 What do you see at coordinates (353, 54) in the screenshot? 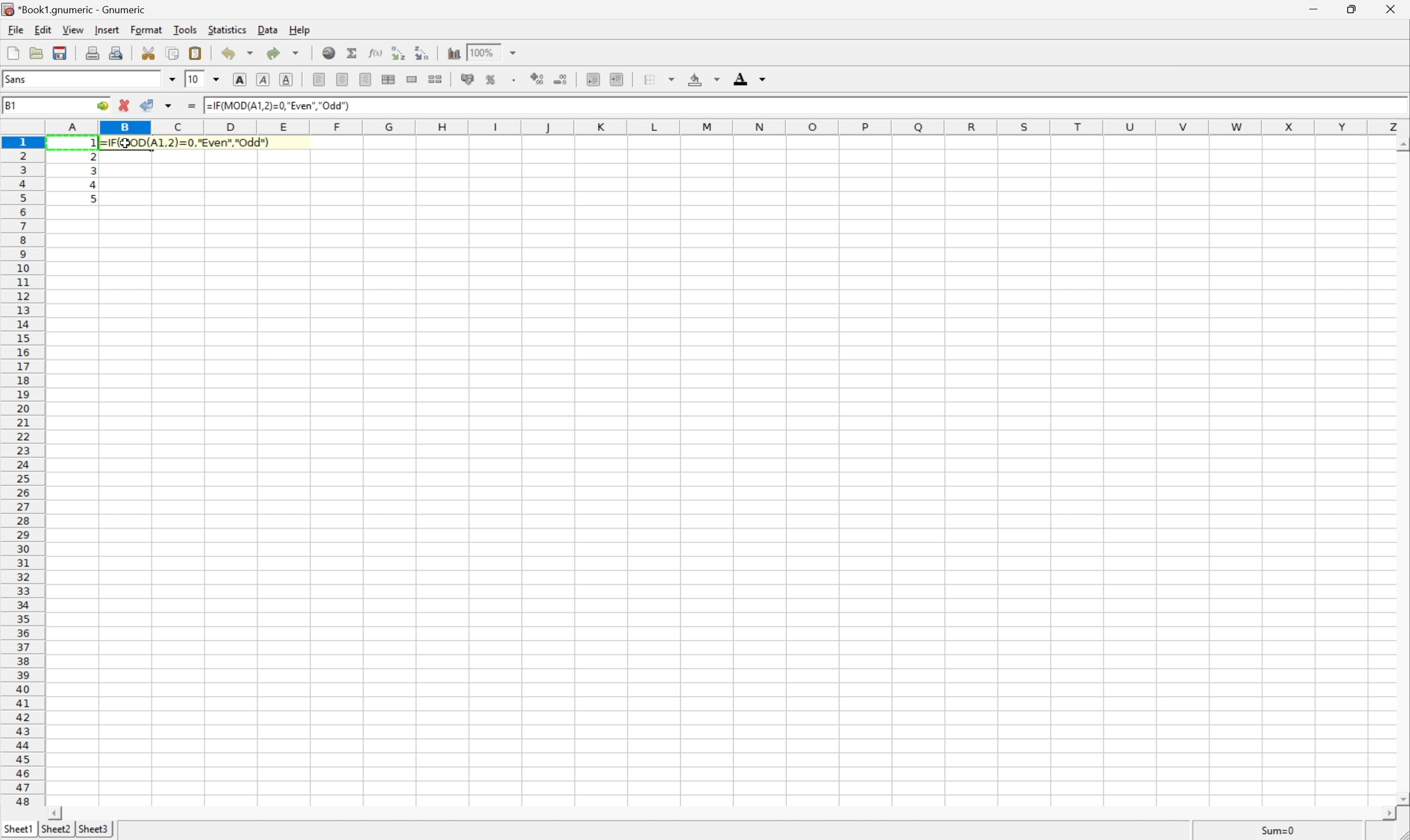
I see `Sum in current cell` at bounding box center [353, 54].